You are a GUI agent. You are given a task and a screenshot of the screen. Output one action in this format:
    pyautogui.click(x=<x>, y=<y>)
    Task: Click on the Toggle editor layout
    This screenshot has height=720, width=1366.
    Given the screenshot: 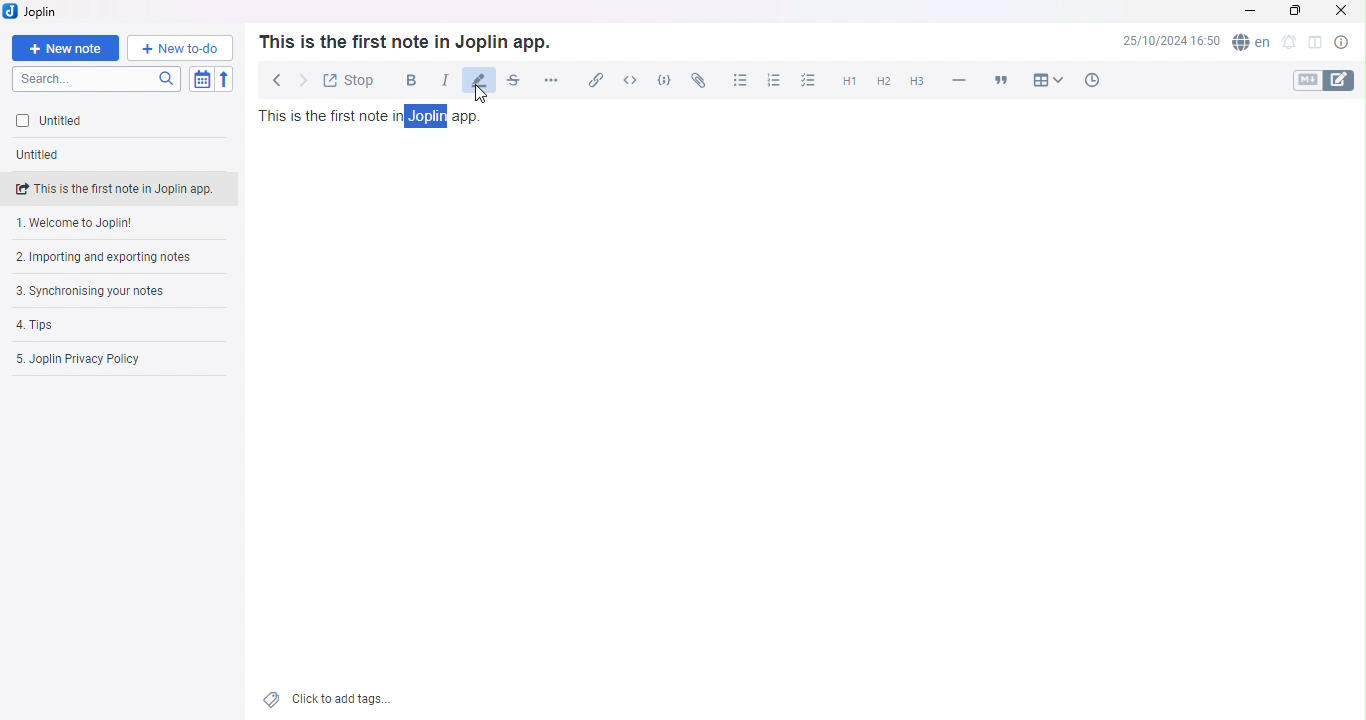 What is the action you would take?
    pyautogui.click(x=1312, y=44)
    